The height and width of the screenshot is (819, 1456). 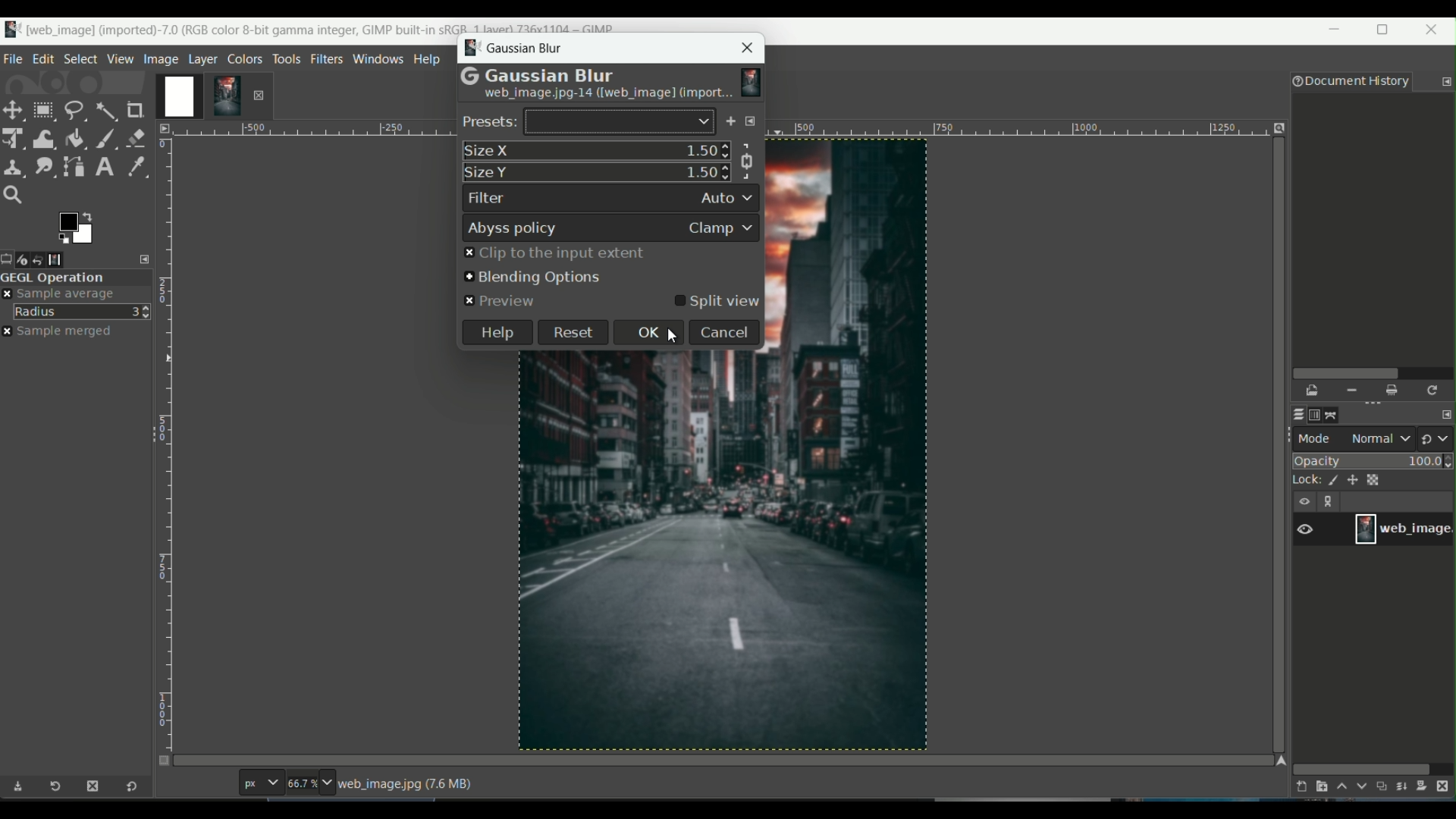 I want to click on image name, so click(x=1403, y=529).